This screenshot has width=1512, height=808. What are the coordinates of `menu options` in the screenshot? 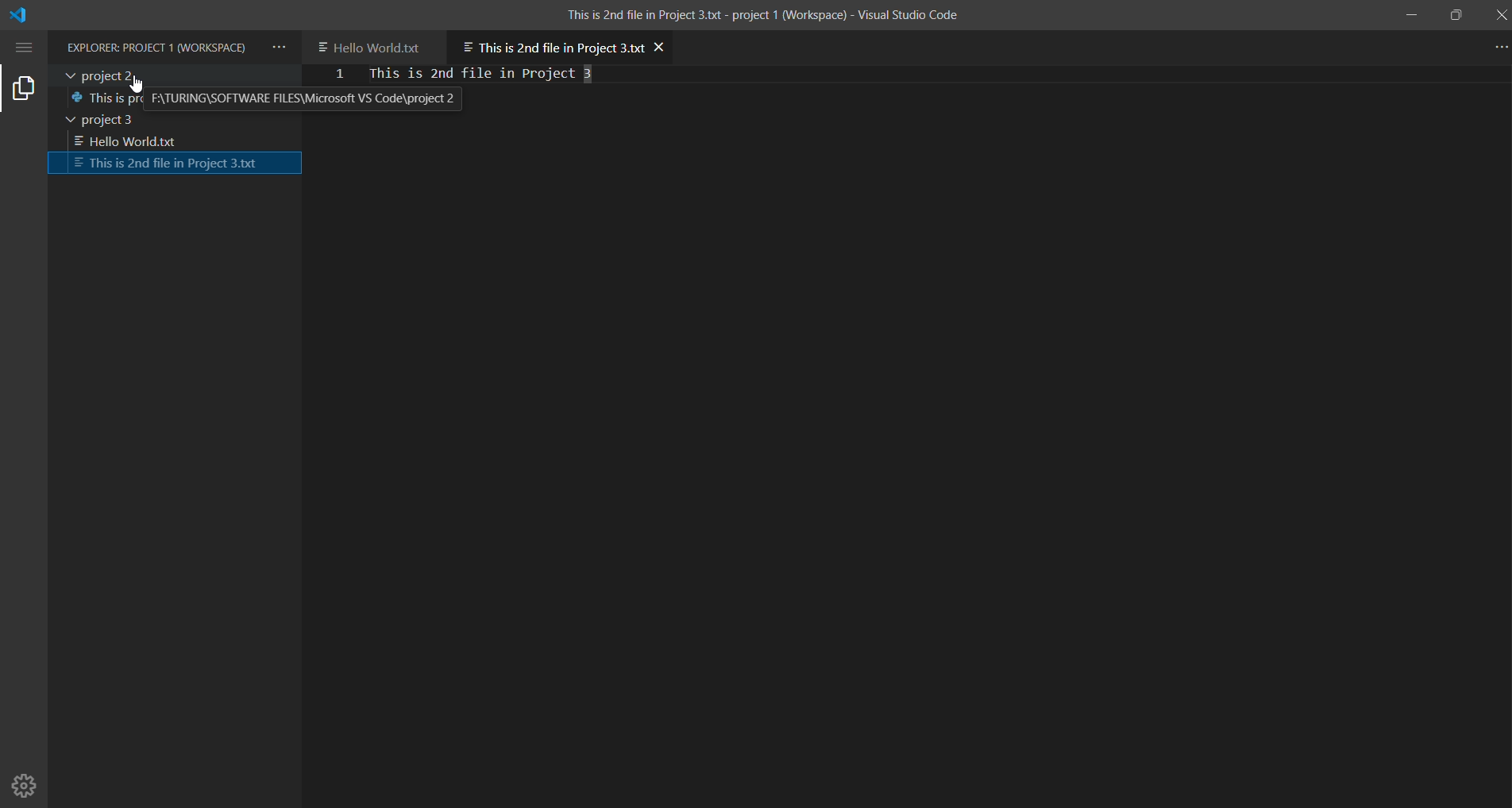 It's located at (26, 47).